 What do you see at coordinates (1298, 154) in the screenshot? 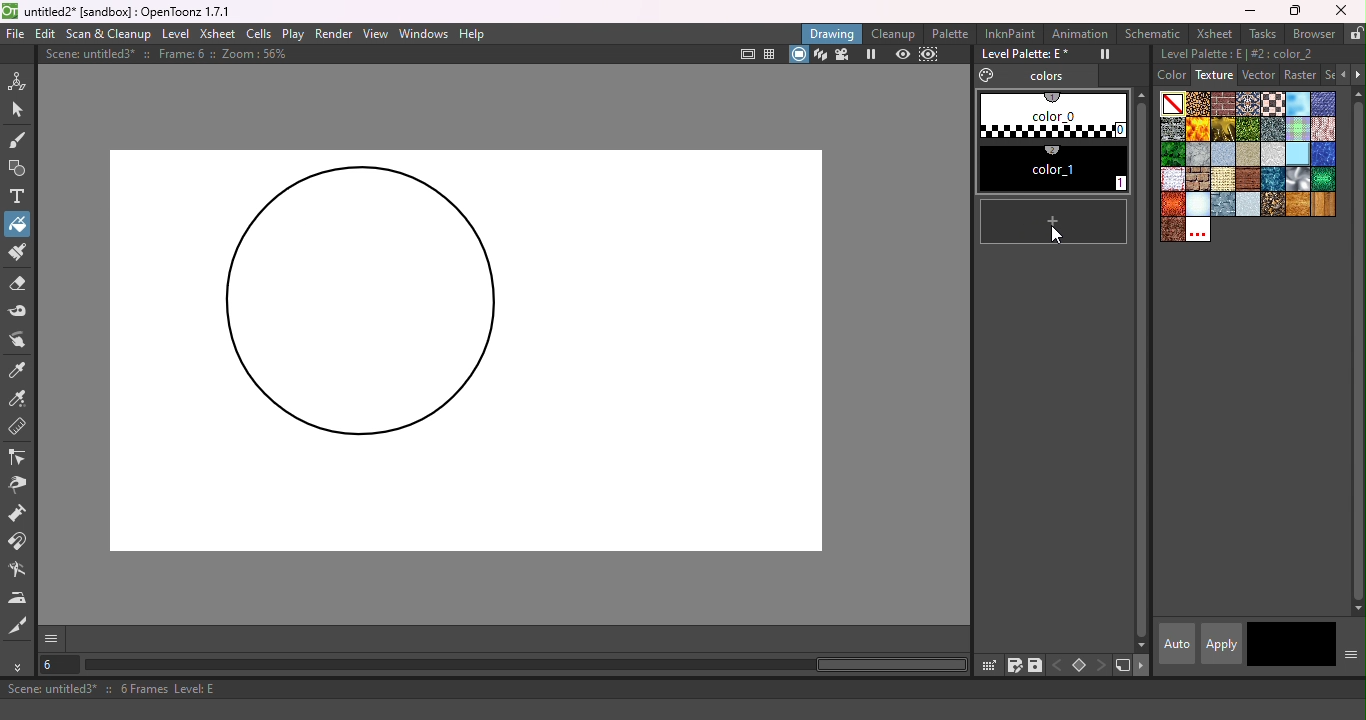
I see `piastrell.bmp` at bounding box center [1298, 154].